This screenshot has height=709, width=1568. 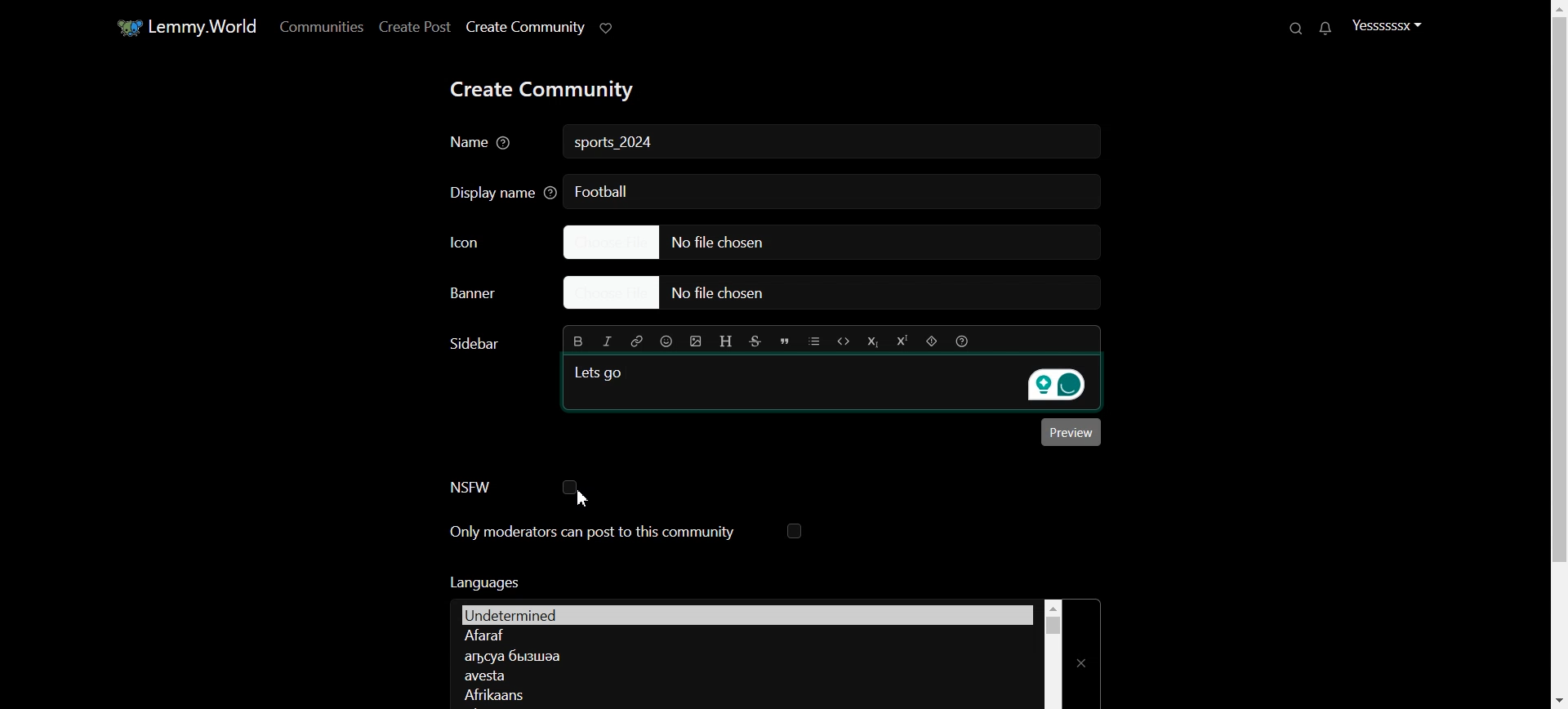 What do you see at coordinates (513, 487) in the screenshot?
I see `NSFW` at bounding box center [513, 487].